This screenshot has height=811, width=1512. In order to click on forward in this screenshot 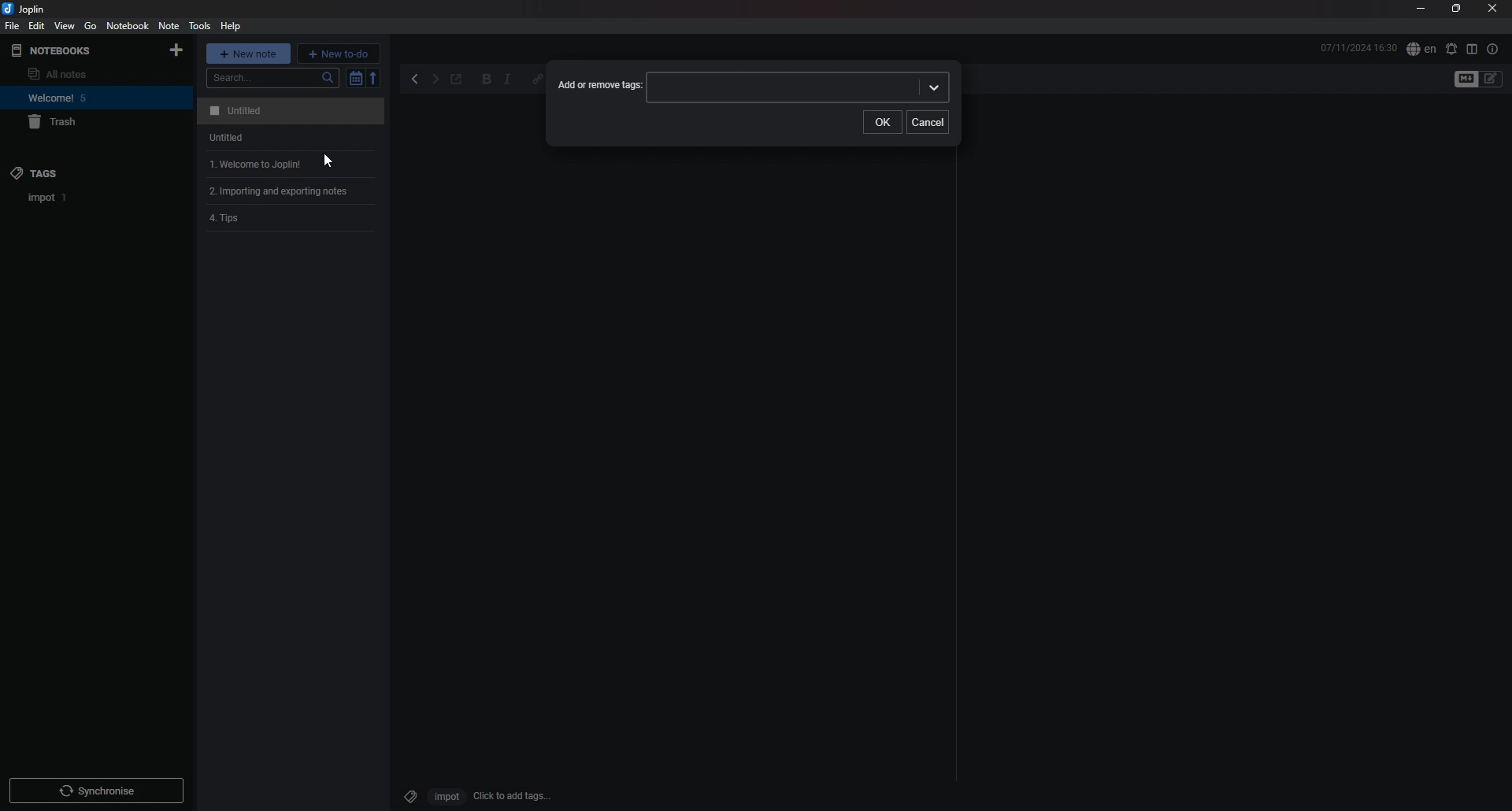, I will do `click(435, 81)`.